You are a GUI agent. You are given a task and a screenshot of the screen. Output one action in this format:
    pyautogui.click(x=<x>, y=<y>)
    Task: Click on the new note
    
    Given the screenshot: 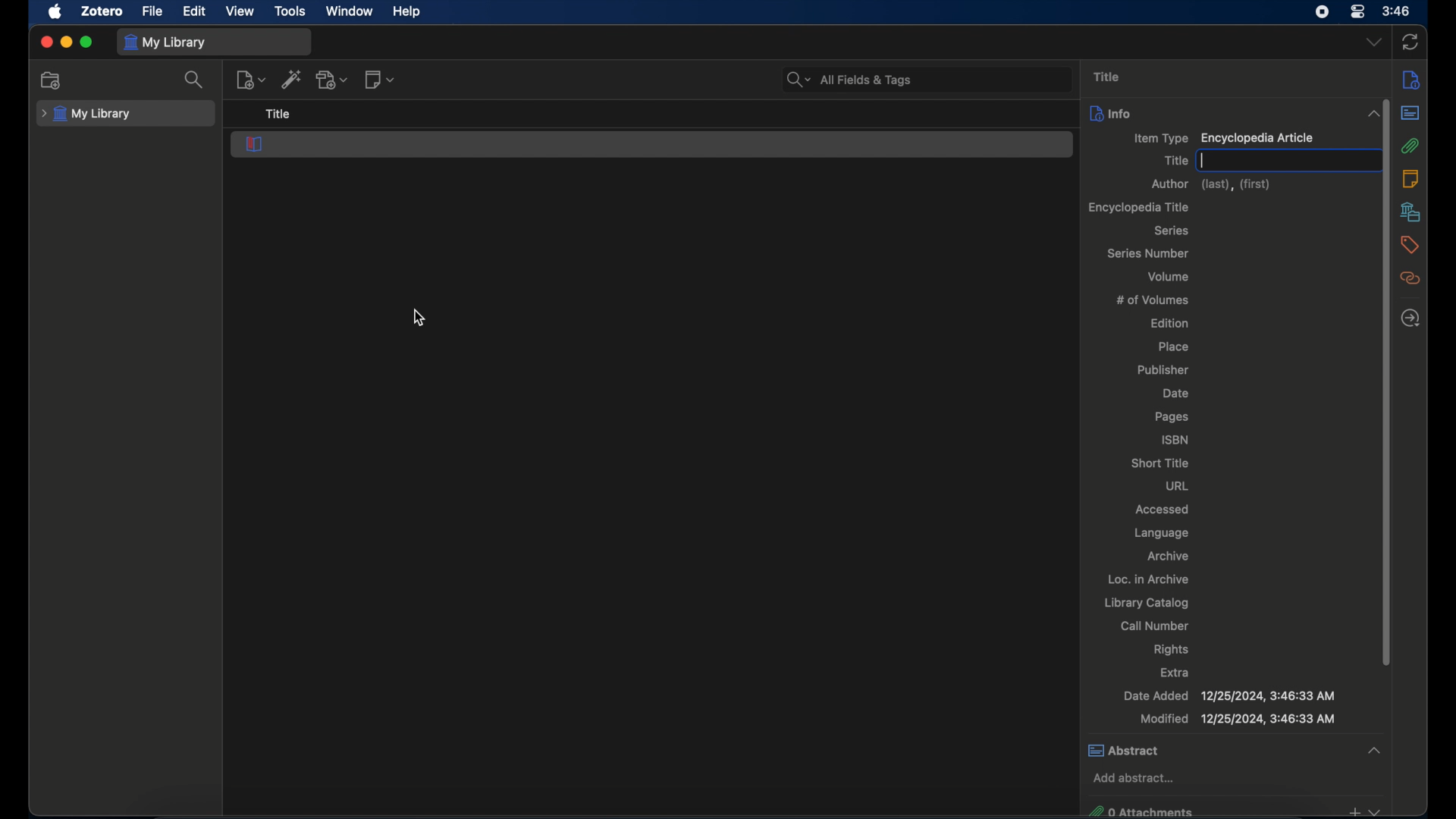 What is the action you would take?
    pyautogui.click(x=379, y=80)
    